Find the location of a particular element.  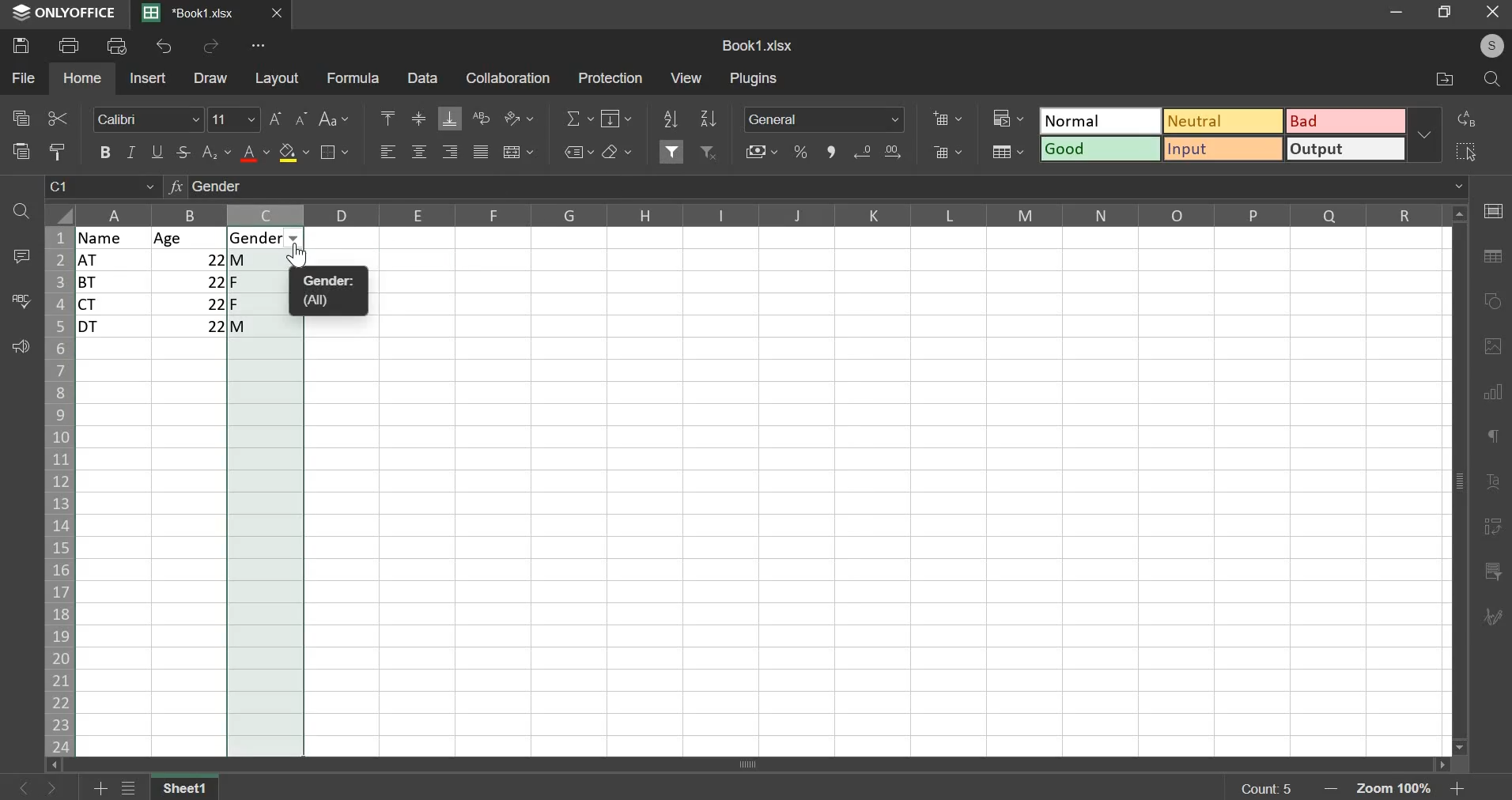

more is located at coordinates (254, 48).